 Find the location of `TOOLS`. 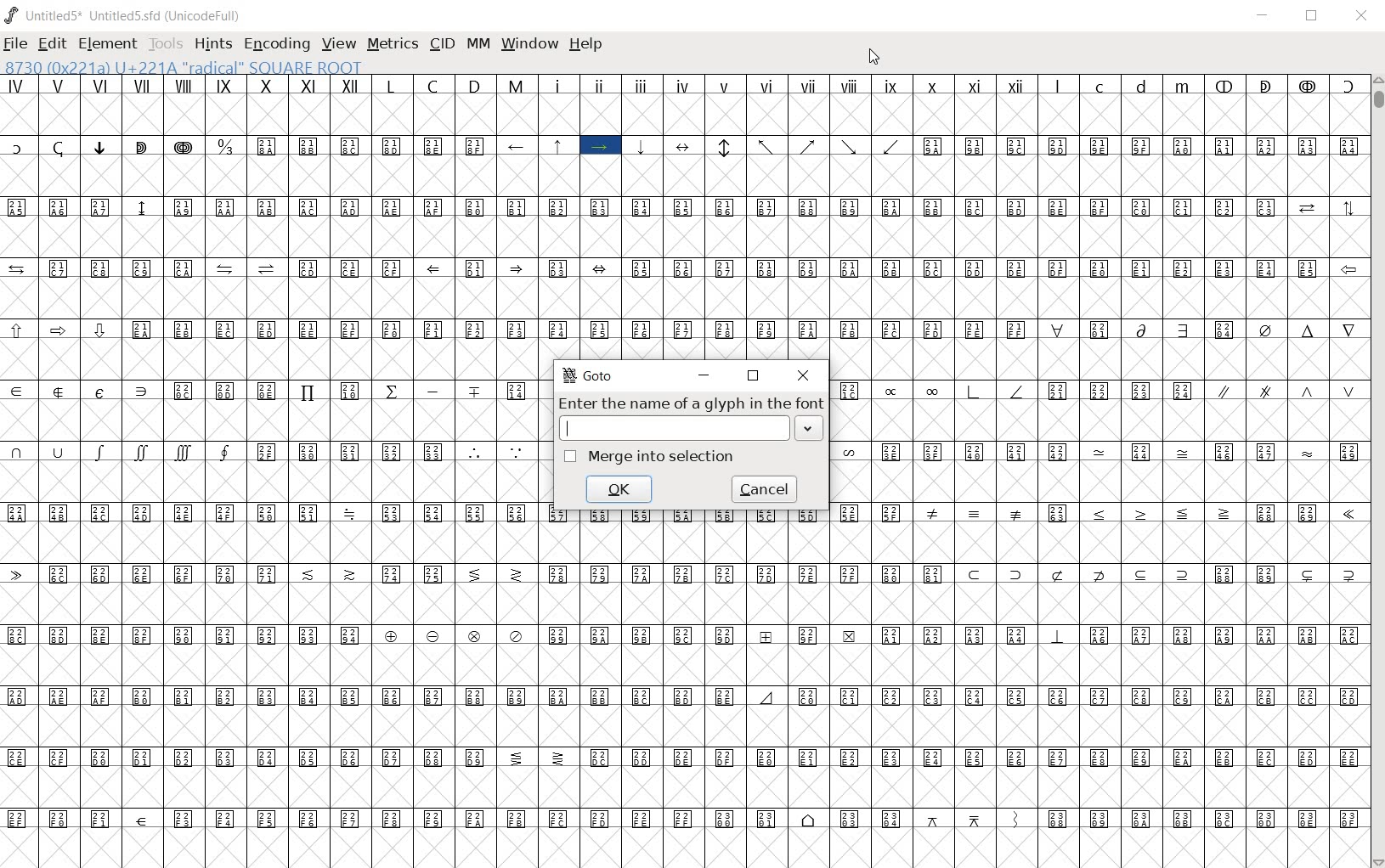

TOOLS is located at coordinates (164, 42).